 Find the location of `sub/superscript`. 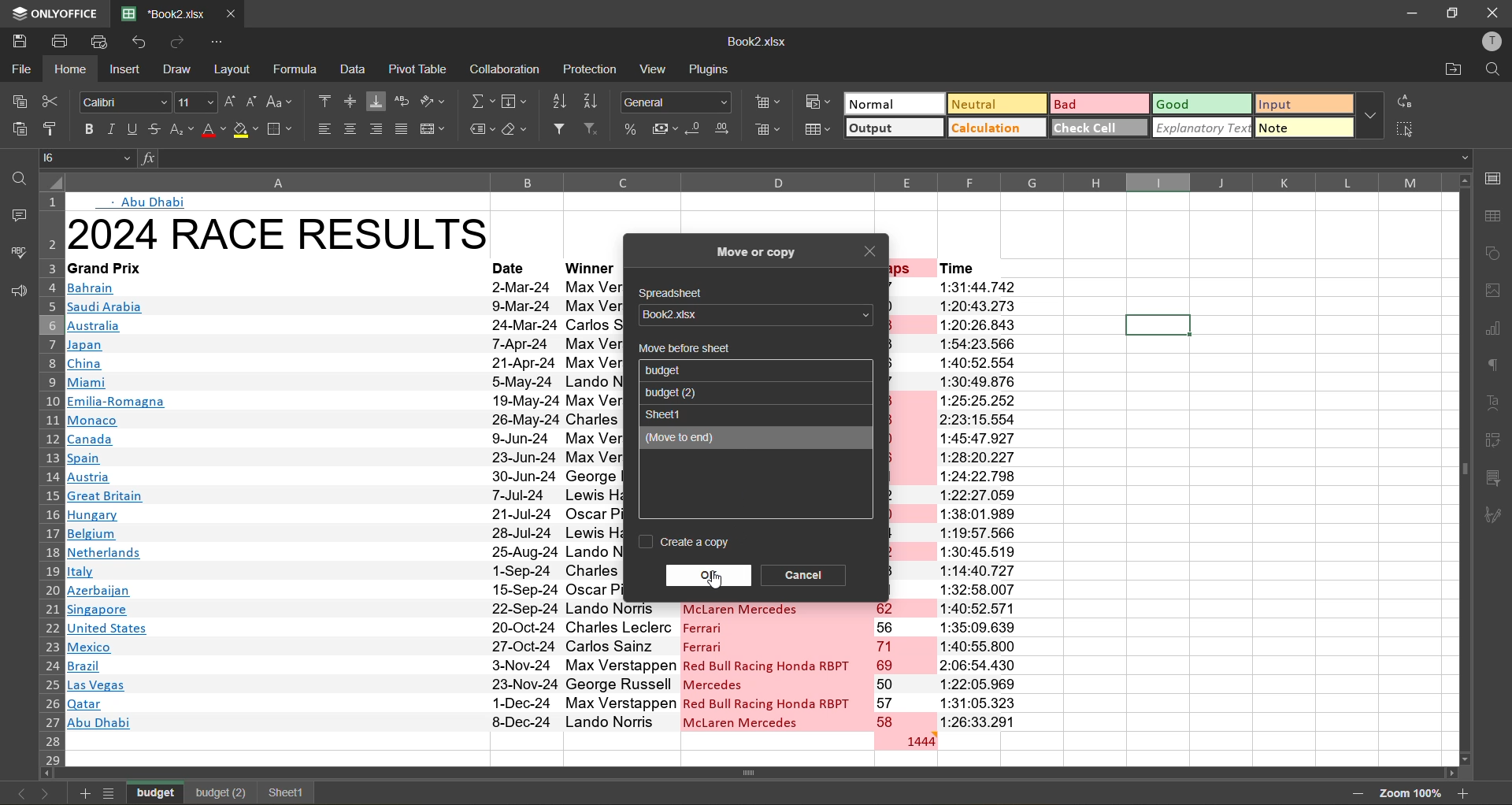

sub/superscript is located at coordinates (181, 131).